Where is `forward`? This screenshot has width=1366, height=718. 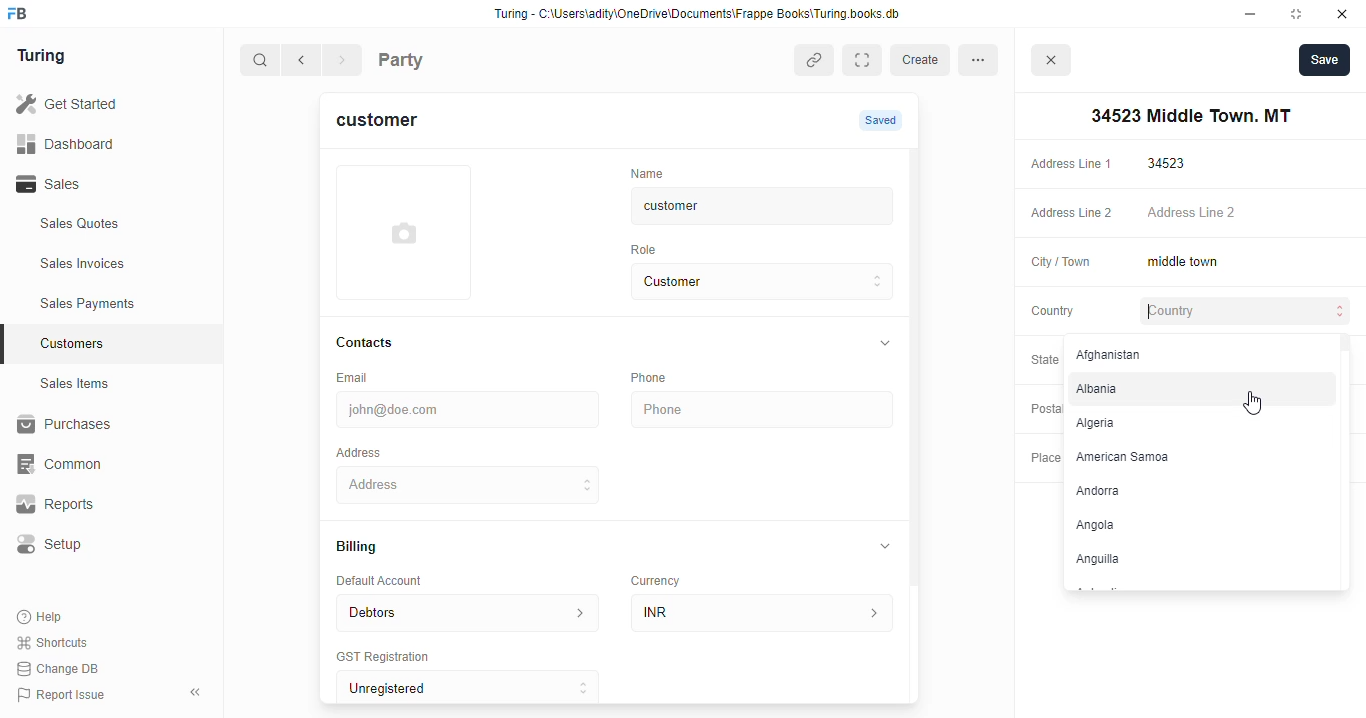 forward is located at coordinates (344, 62).